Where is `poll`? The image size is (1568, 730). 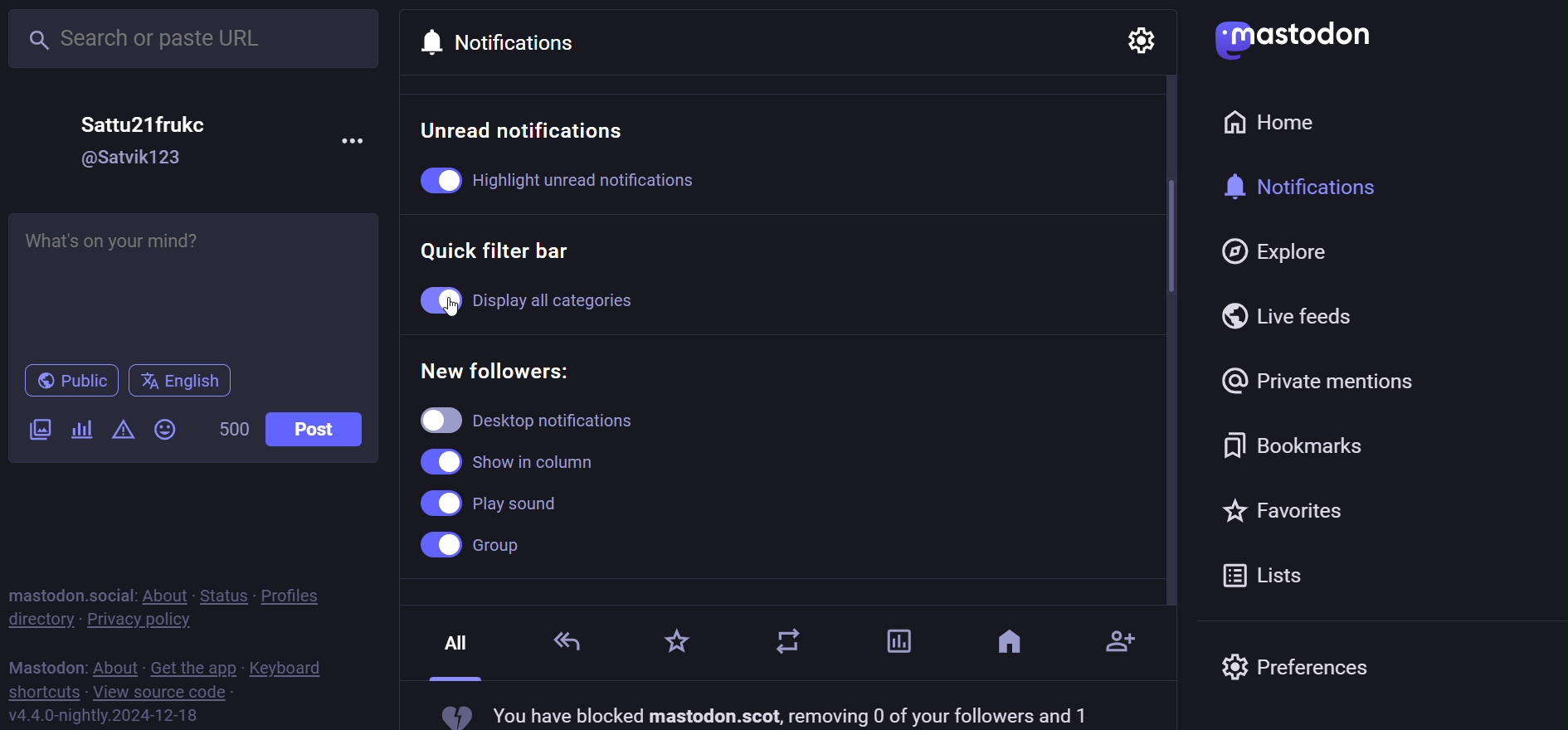
poll is located at coordinates (80, 431).